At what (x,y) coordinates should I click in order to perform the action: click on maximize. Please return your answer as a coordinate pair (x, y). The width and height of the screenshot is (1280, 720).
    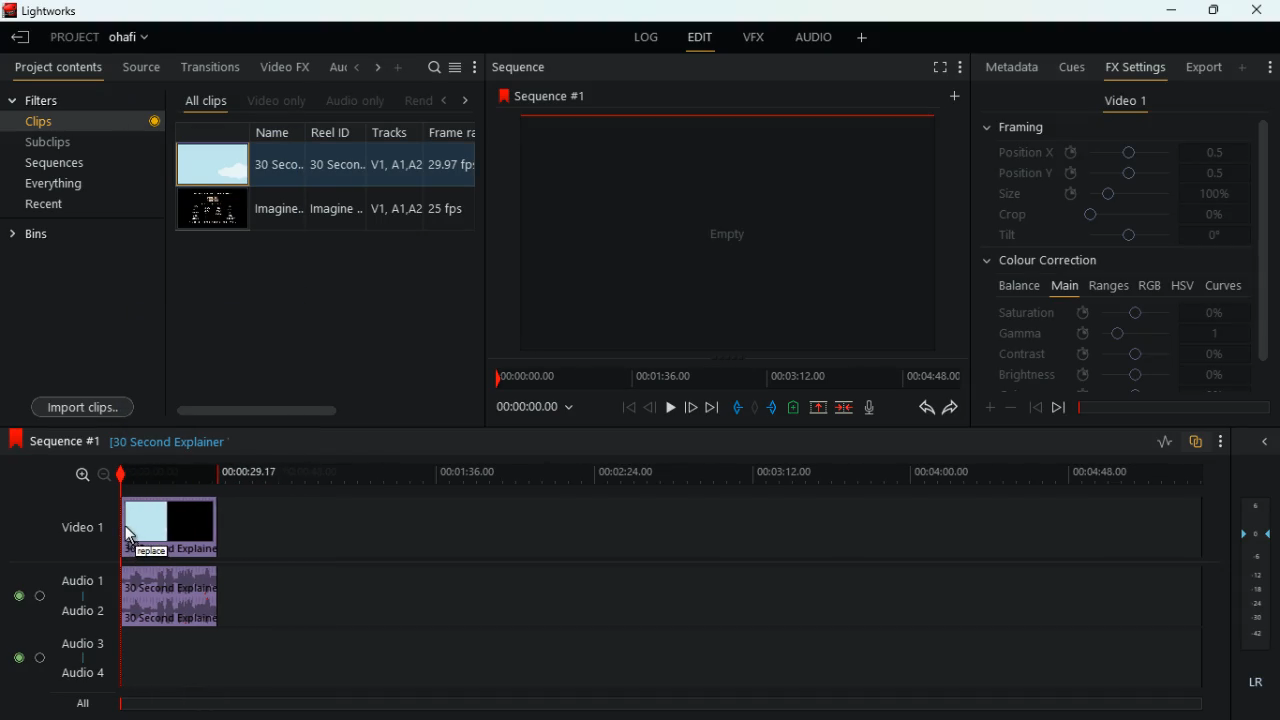
    Looking at the image, I should click on (1212, 10).